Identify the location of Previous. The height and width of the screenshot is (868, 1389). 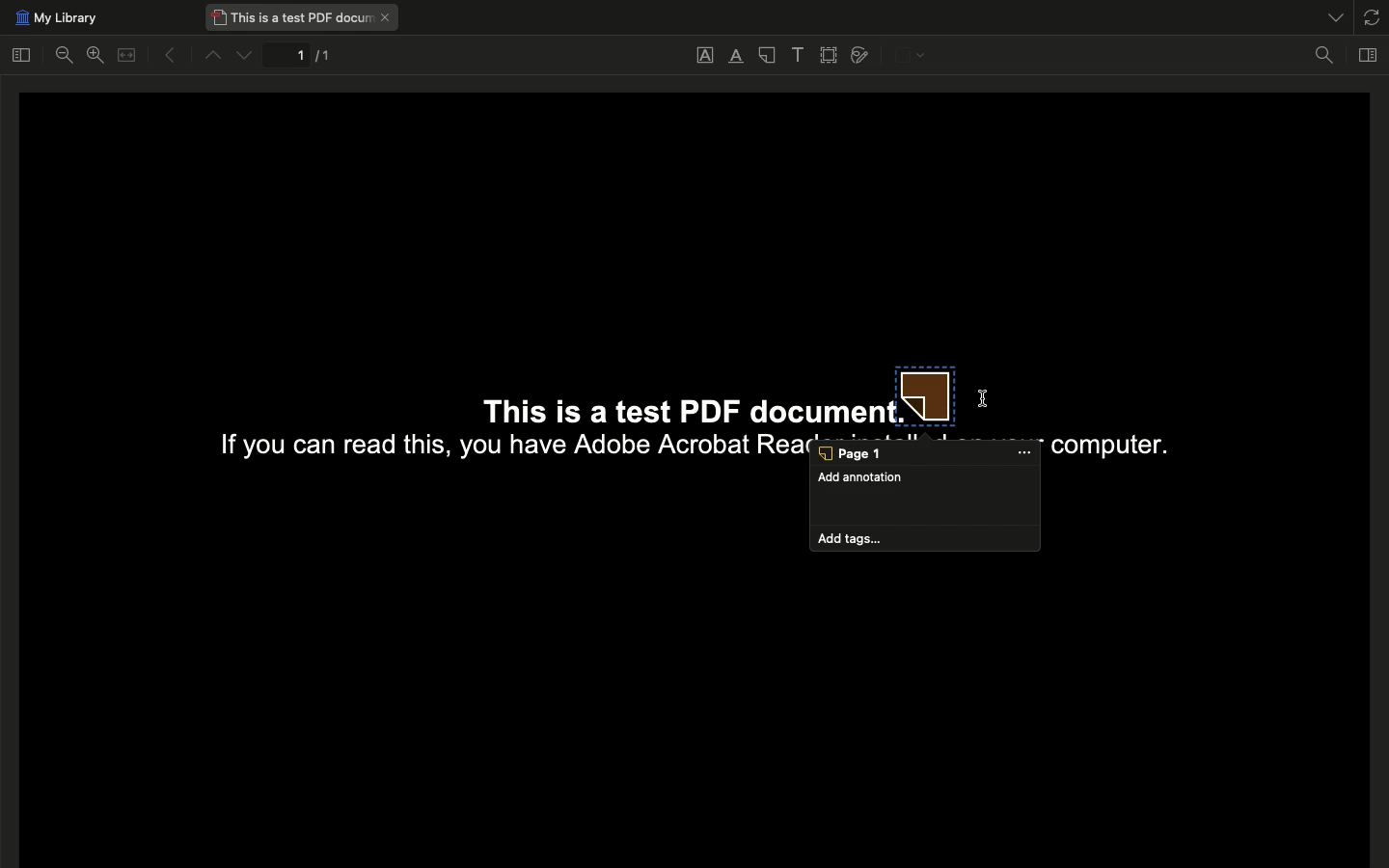
(163, 56).